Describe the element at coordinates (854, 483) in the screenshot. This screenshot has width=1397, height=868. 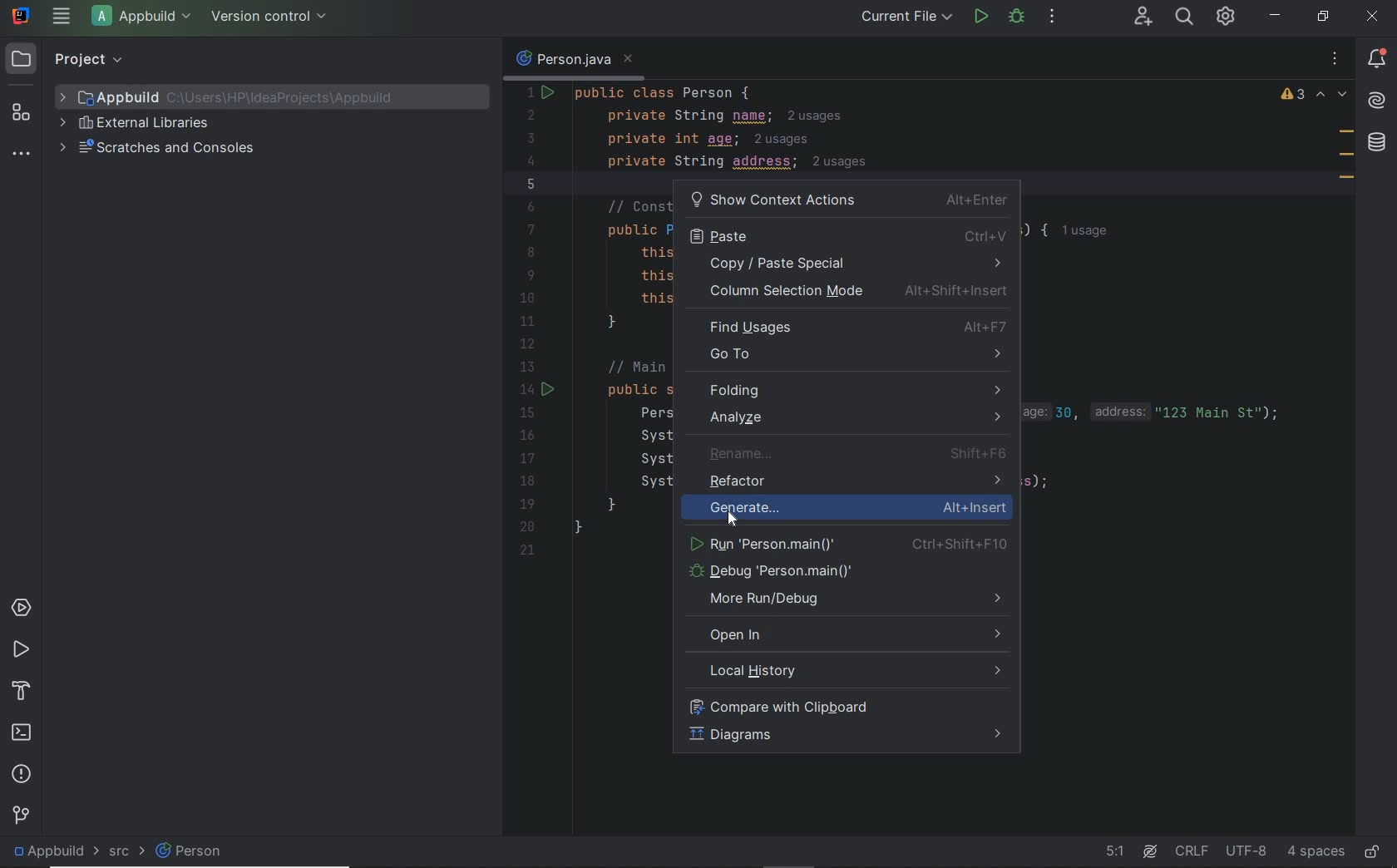
I see `refactor` at that location.